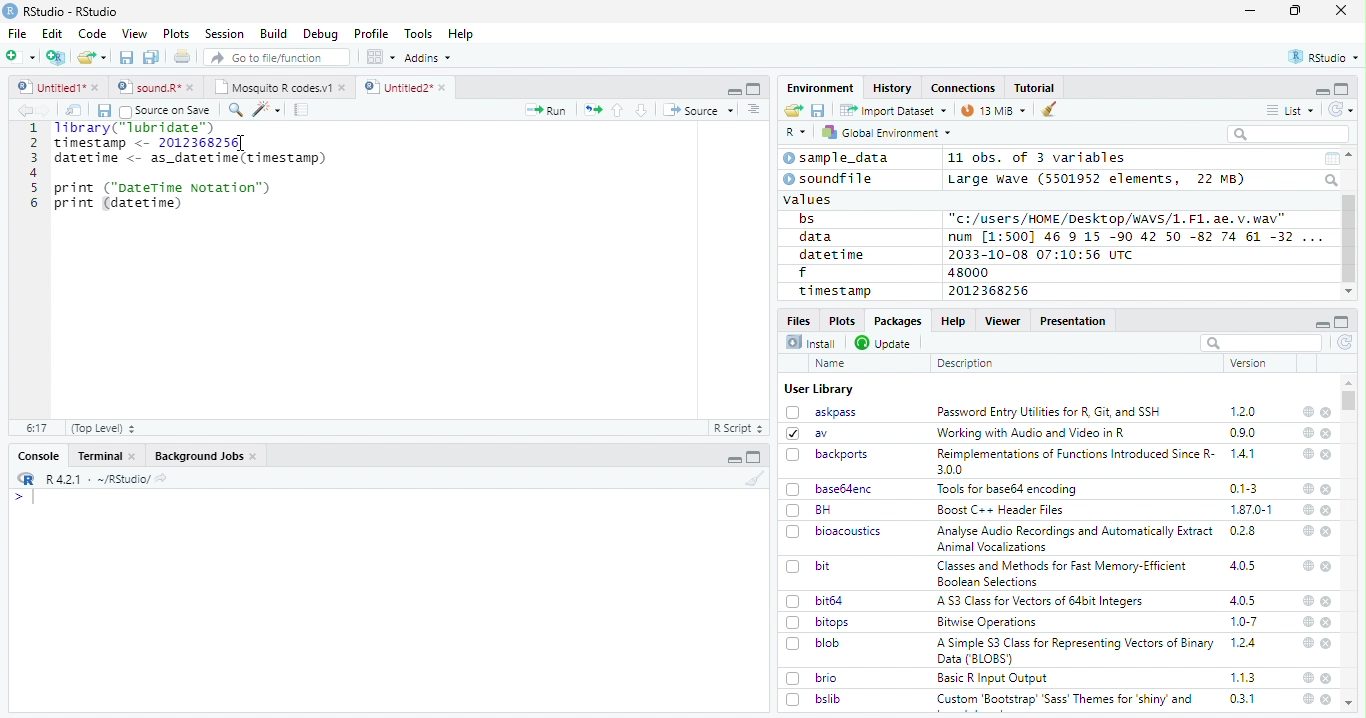 The image size is (1366, 718). I want to click on minimize, so click(733, 89).